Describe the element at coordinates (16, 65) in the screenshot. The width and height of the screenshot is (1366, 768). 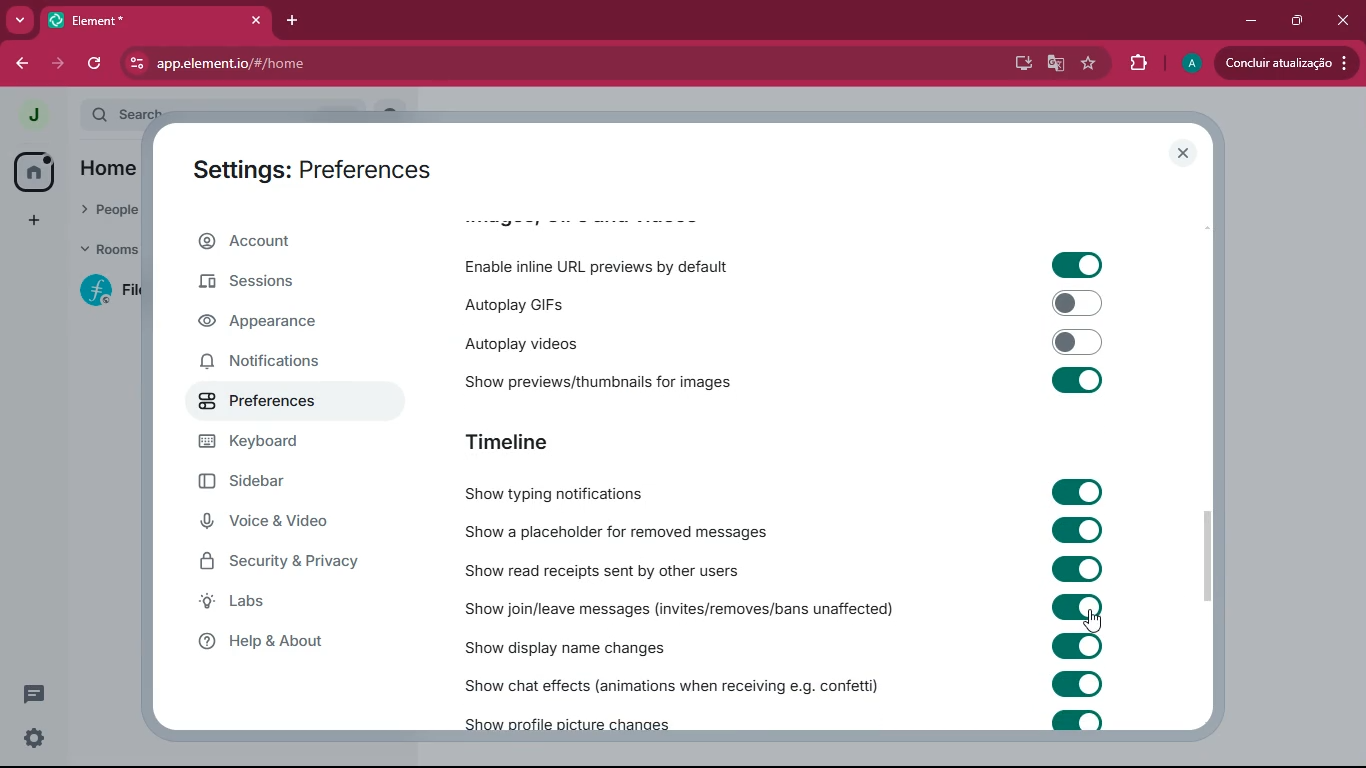
I see `back` at that location.